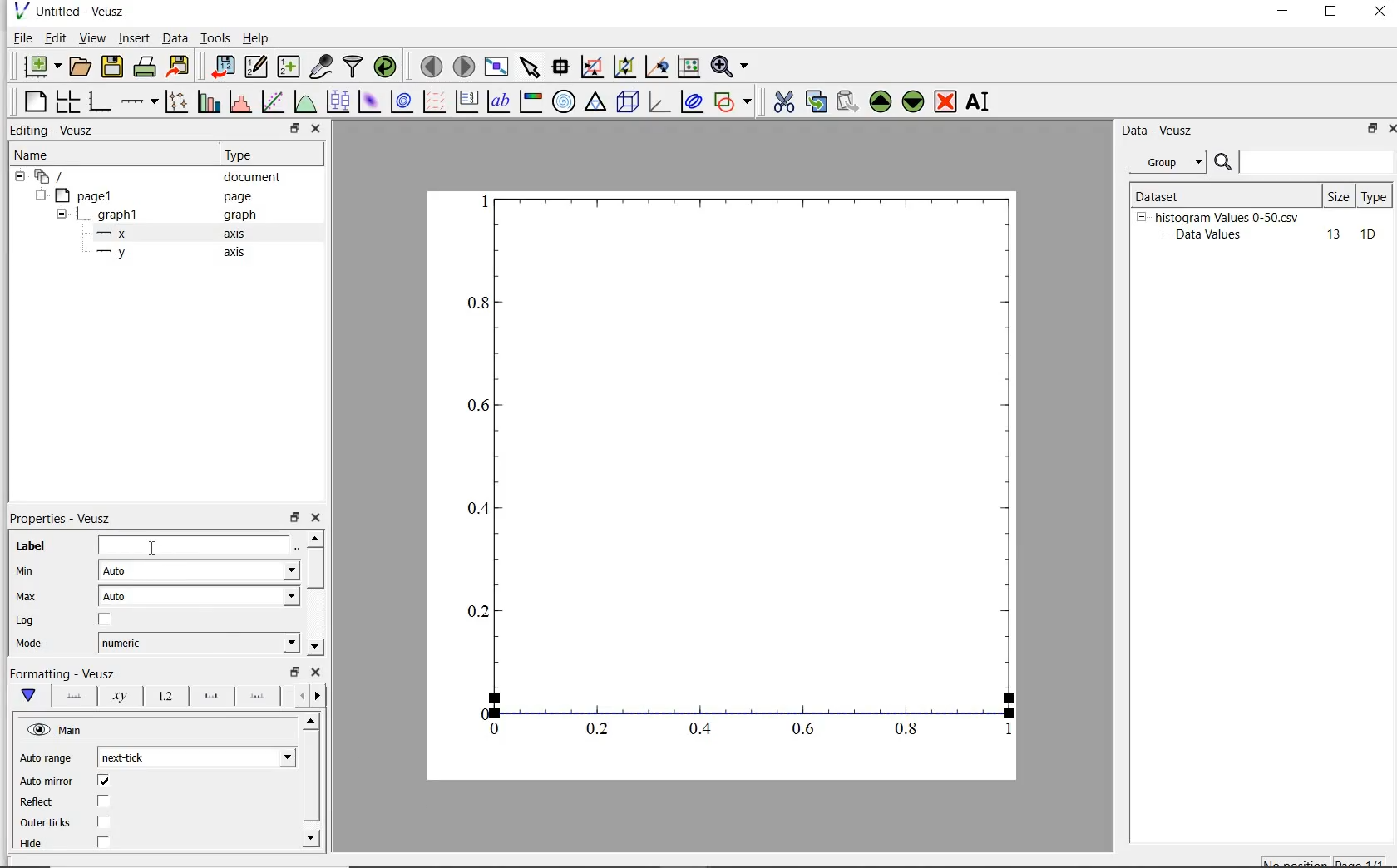 Image resolution: width=1397 pixels, height=868 pixels. I want to click on fit a function to data, so click(274, 101).